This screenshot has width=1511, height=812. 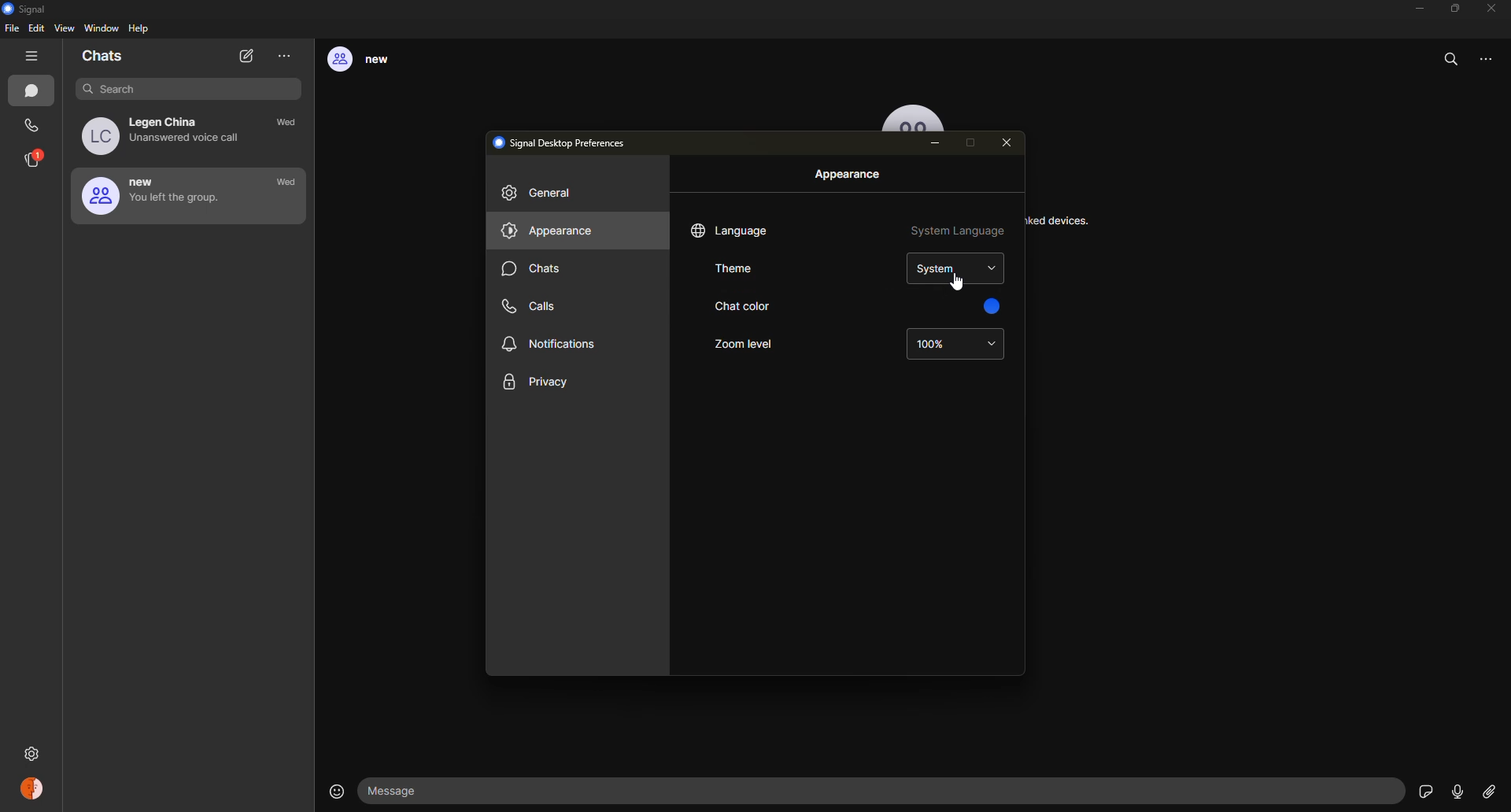 What do you see at coordinates (1457, 792) in the screenshot?
I see `record` at bounding box center [1457, 792].